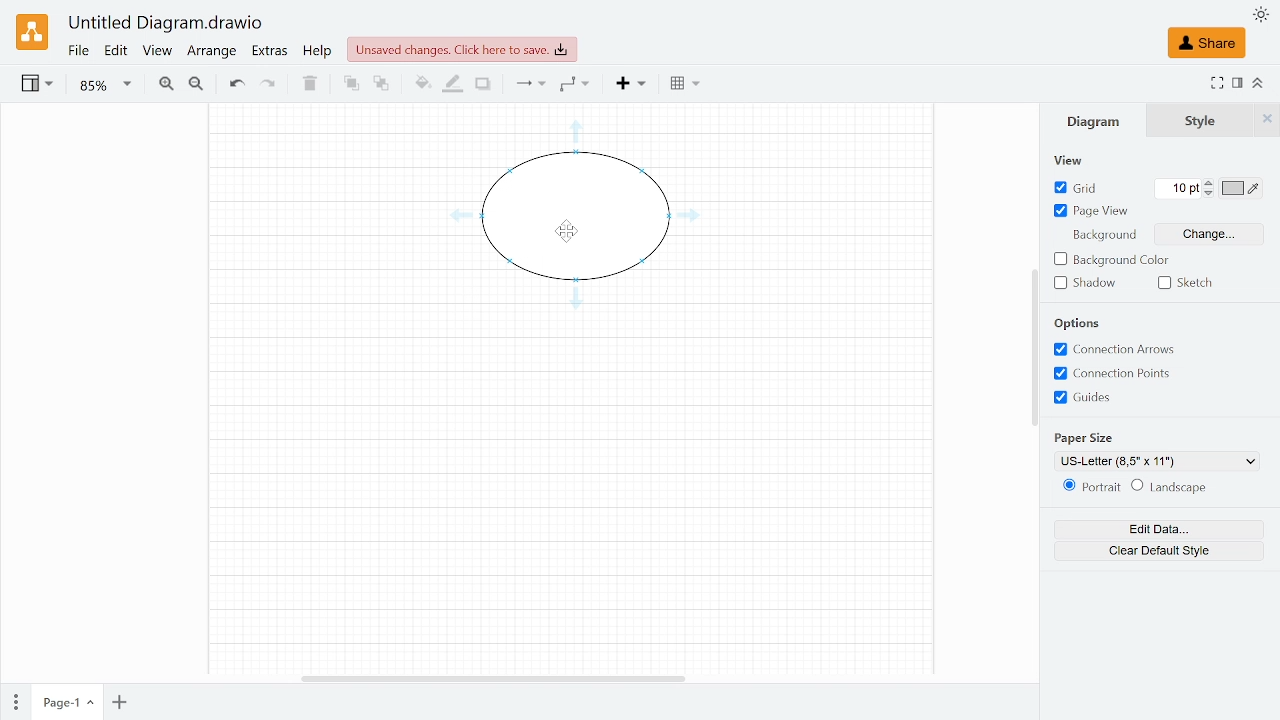 The height and width of the screenshot is (720, 1280). I want to click on Table, so click(685, 86).